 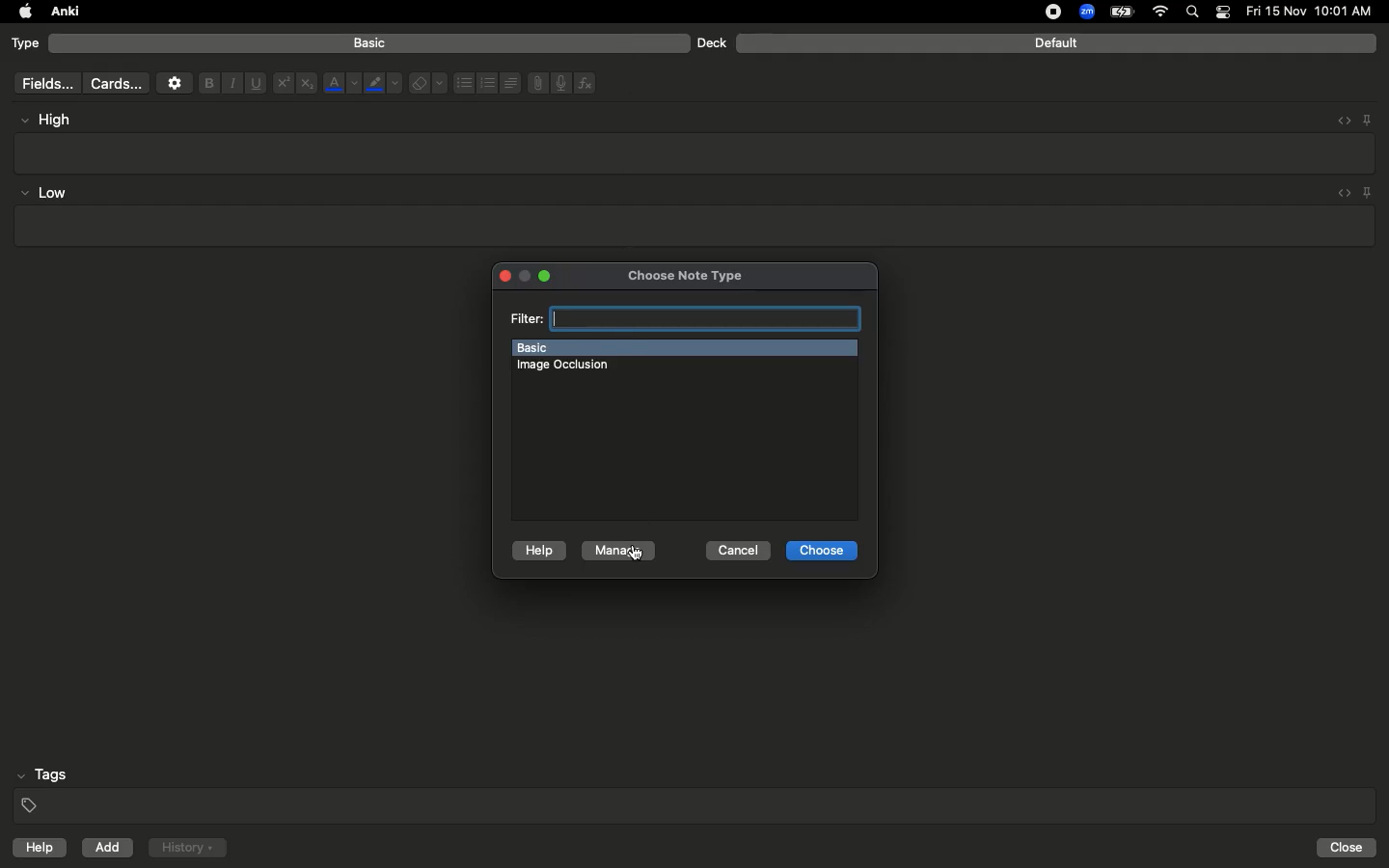 I want to click on Basic, so click(x=370, y=43).